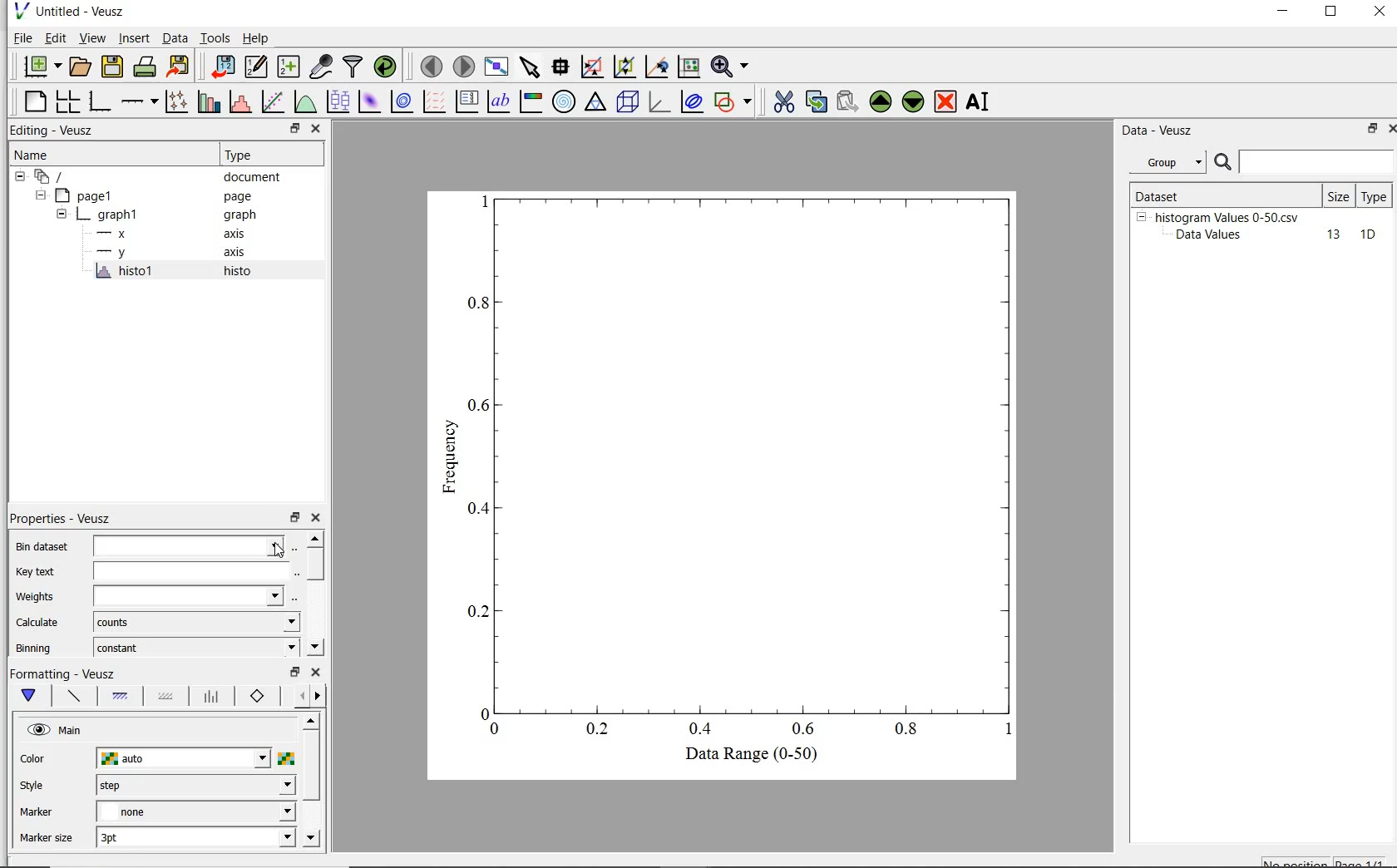 This screenshot has height=868, width=1397. Describe the element at coordinates (688, 67) in the screenshot. I see `click to recenter graph axes` at that location.